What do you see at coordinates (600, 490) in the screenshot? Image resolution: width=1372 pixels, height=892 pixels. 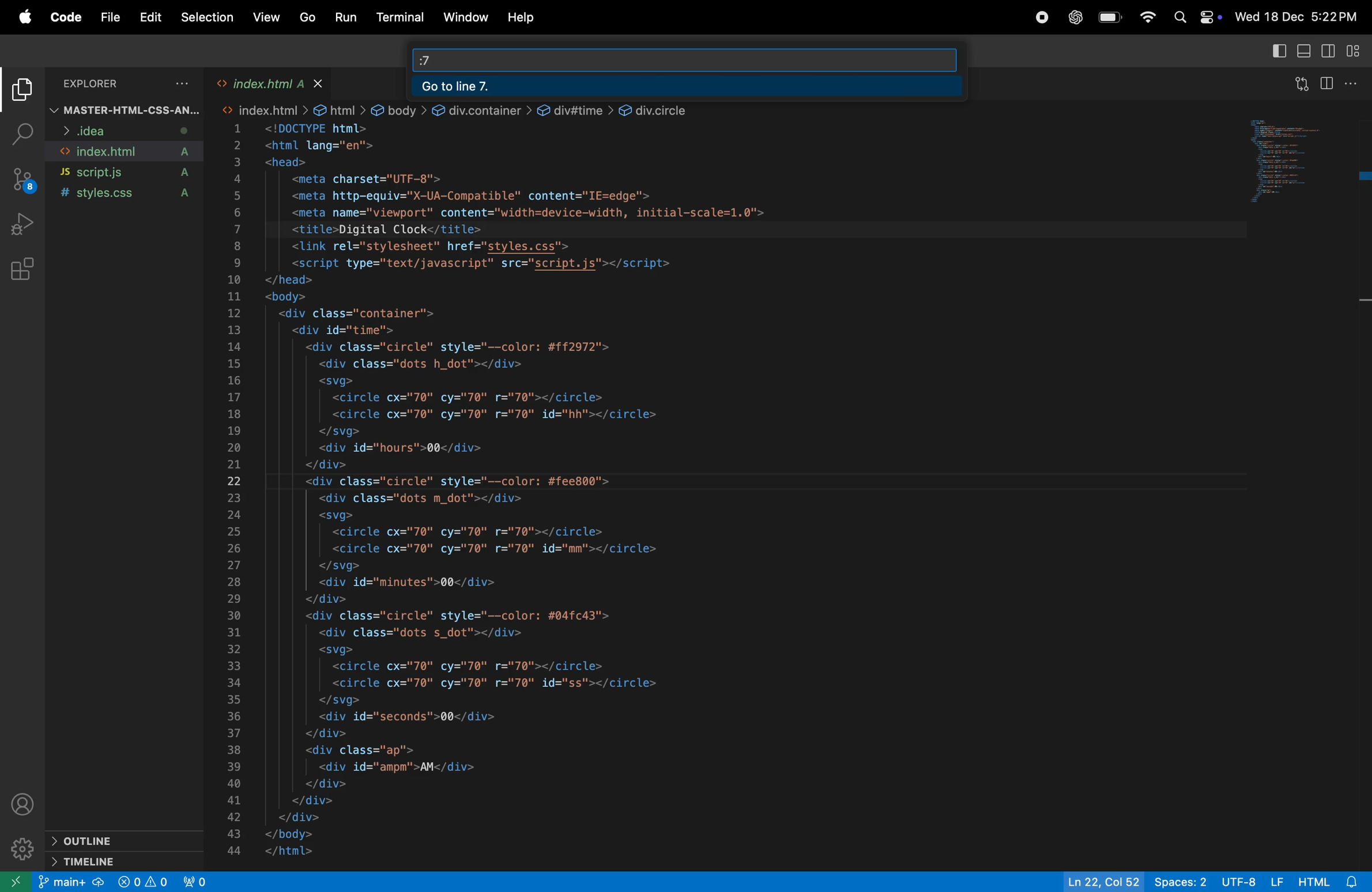 I see `code block of index.html web page` at bounding box center [600, 490].